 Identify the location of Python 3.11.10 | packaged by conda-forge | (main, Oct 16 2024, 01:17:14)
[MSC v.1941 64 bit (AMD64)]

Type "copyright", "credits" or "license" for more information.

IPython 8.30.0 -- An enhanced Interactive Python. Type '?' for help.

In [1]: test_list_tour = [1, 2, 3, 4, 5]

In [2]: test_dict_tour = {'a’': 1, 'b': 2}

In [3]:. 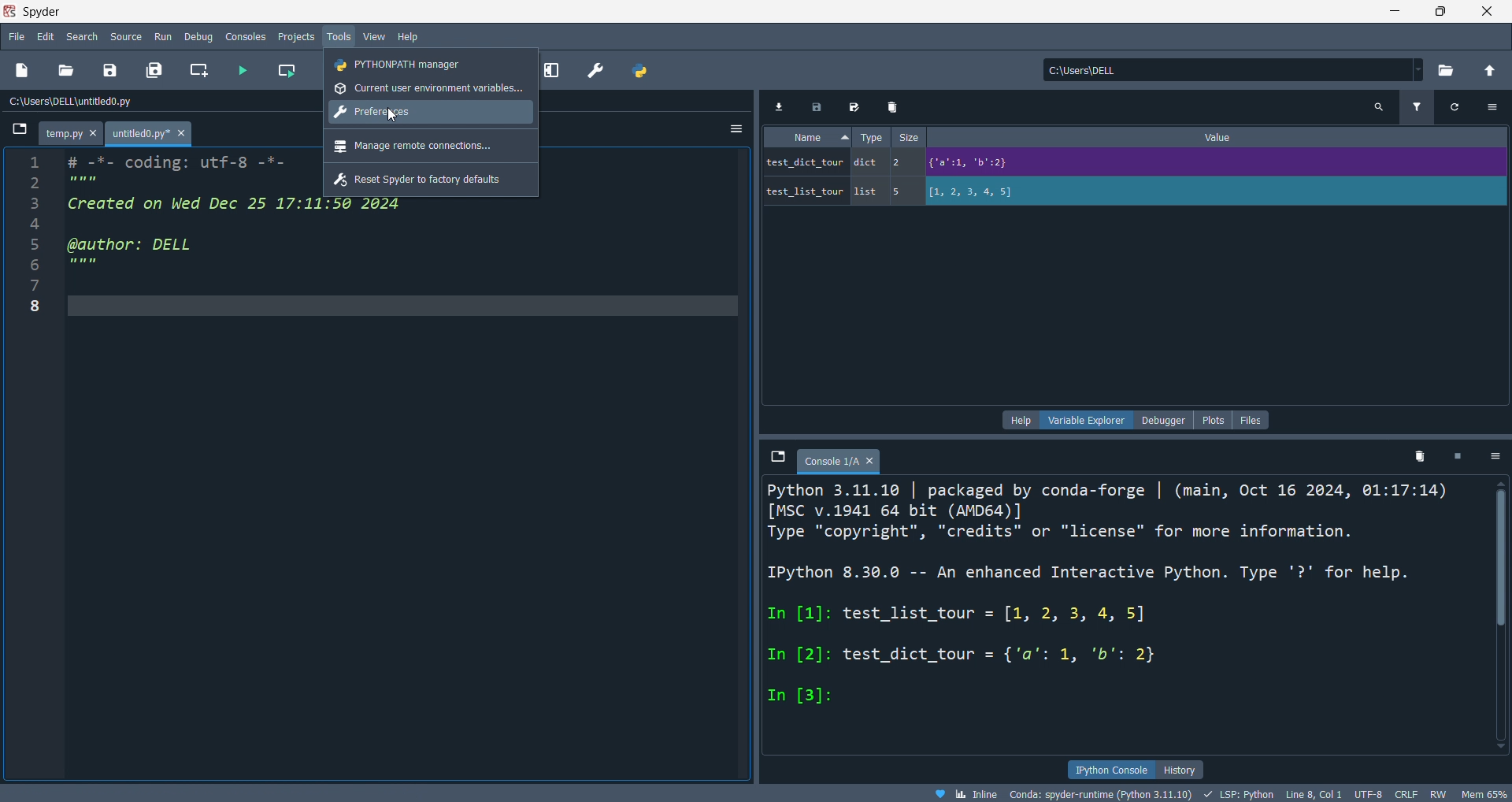
(1109, 607).